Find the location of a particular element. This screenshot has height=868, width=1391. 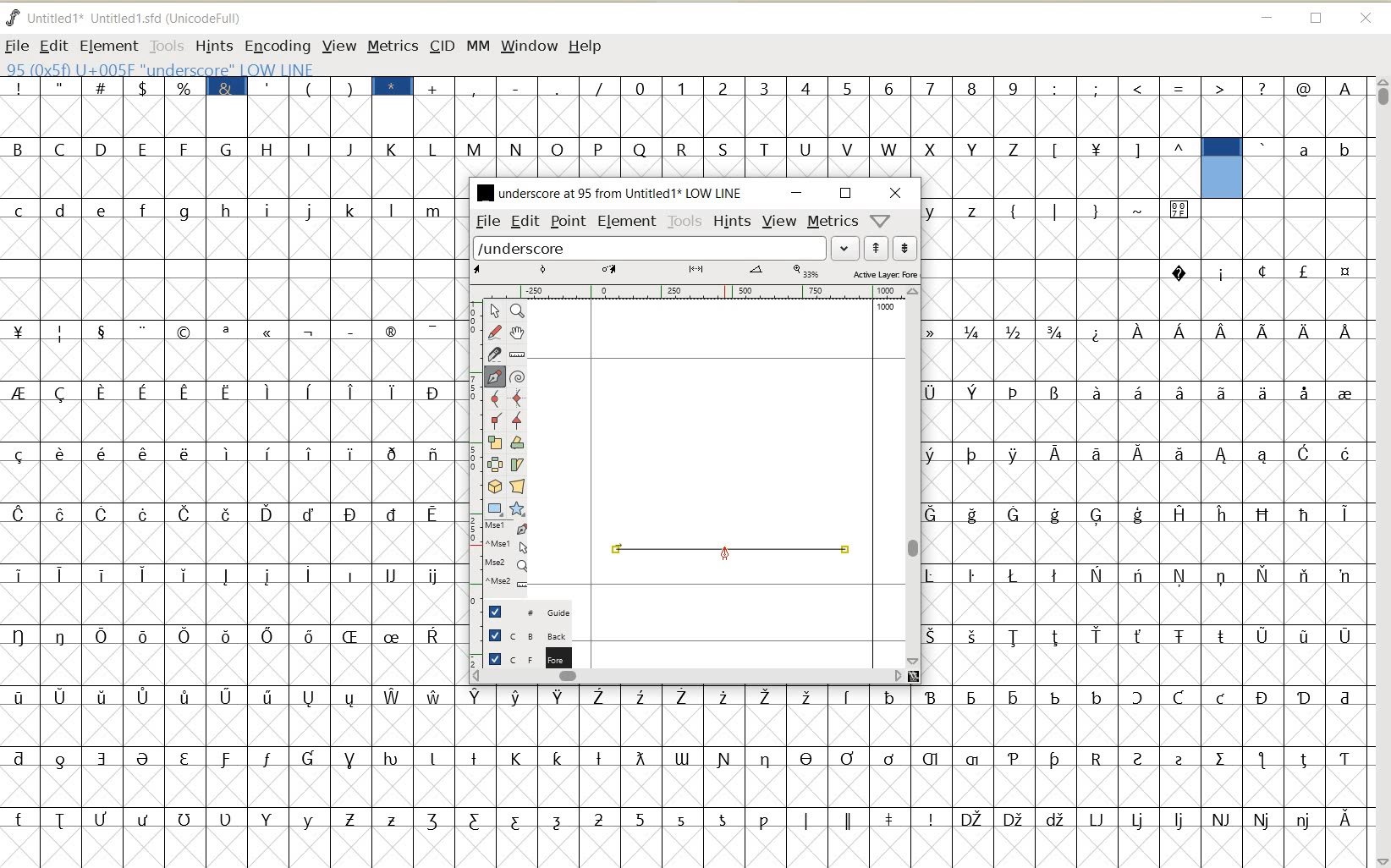

GLYPHY CHARACTERS & NUMBERS is located at coordinates (913, 100).